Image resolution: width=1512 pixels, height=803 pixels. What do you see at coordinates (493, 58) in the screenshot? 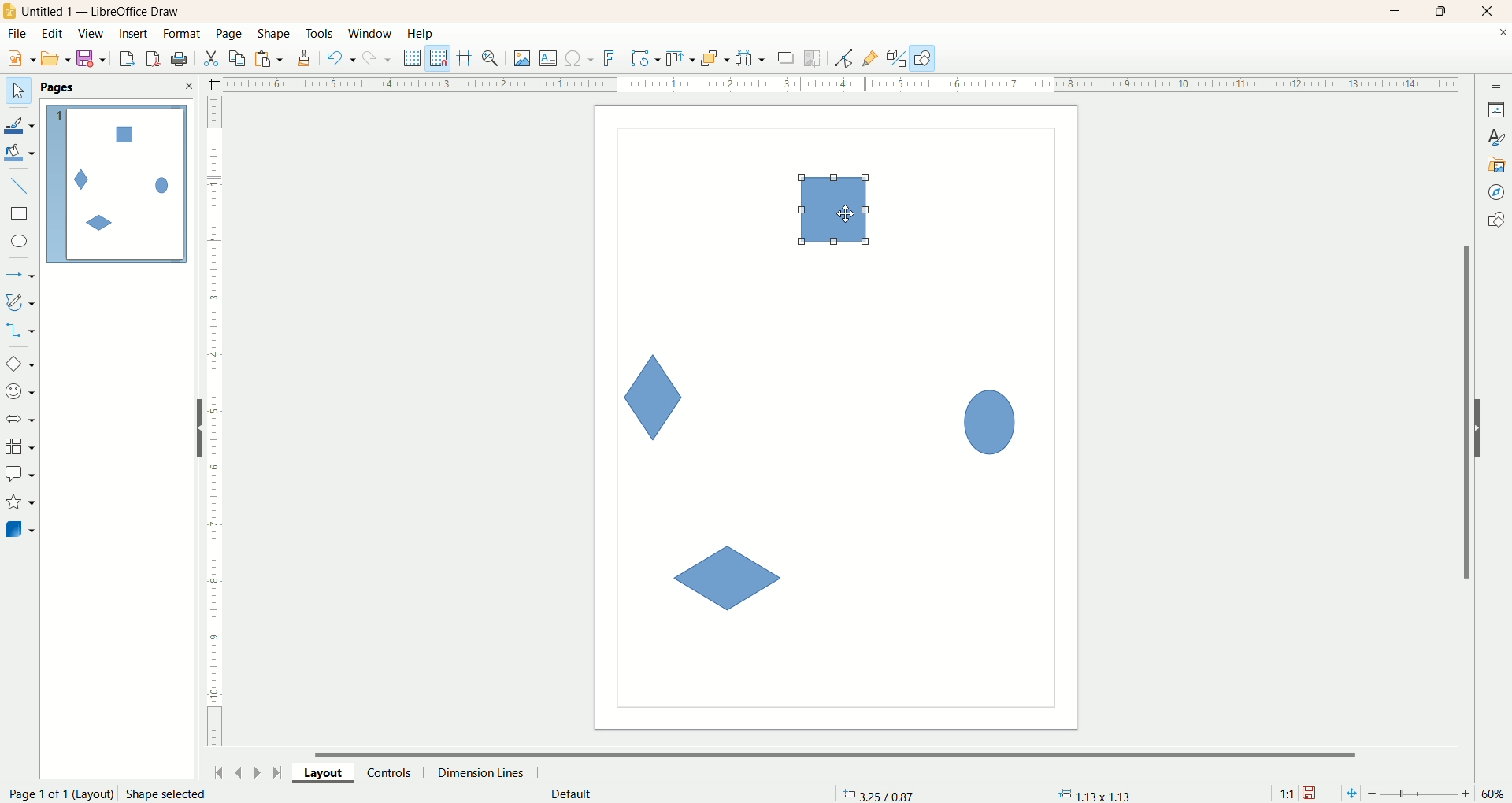
I see `zo` at bounding box center [493, 58].